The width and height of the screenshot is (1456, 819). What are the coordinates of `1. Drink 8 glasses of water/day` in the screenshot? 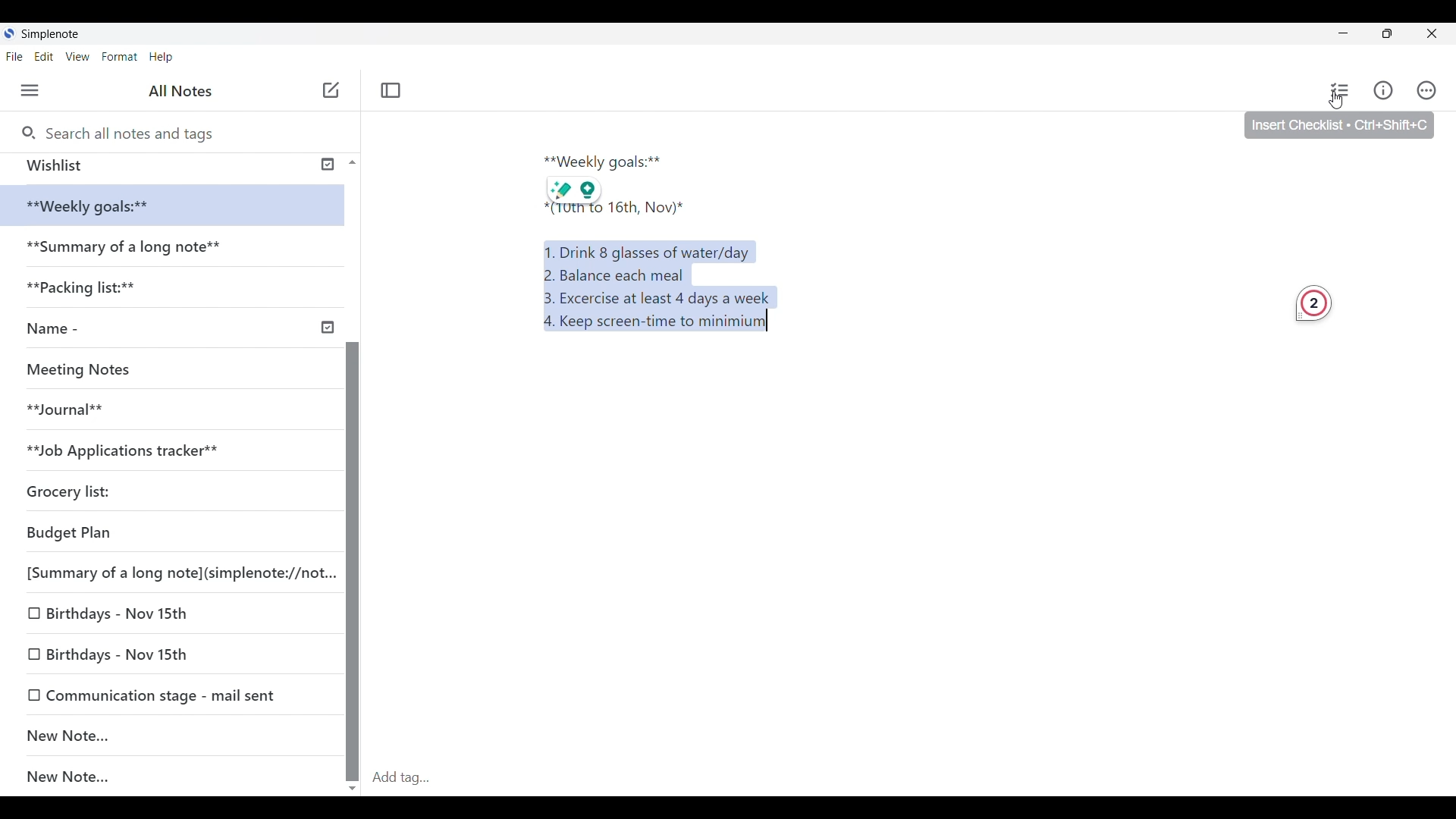 It's located at (651, 249).